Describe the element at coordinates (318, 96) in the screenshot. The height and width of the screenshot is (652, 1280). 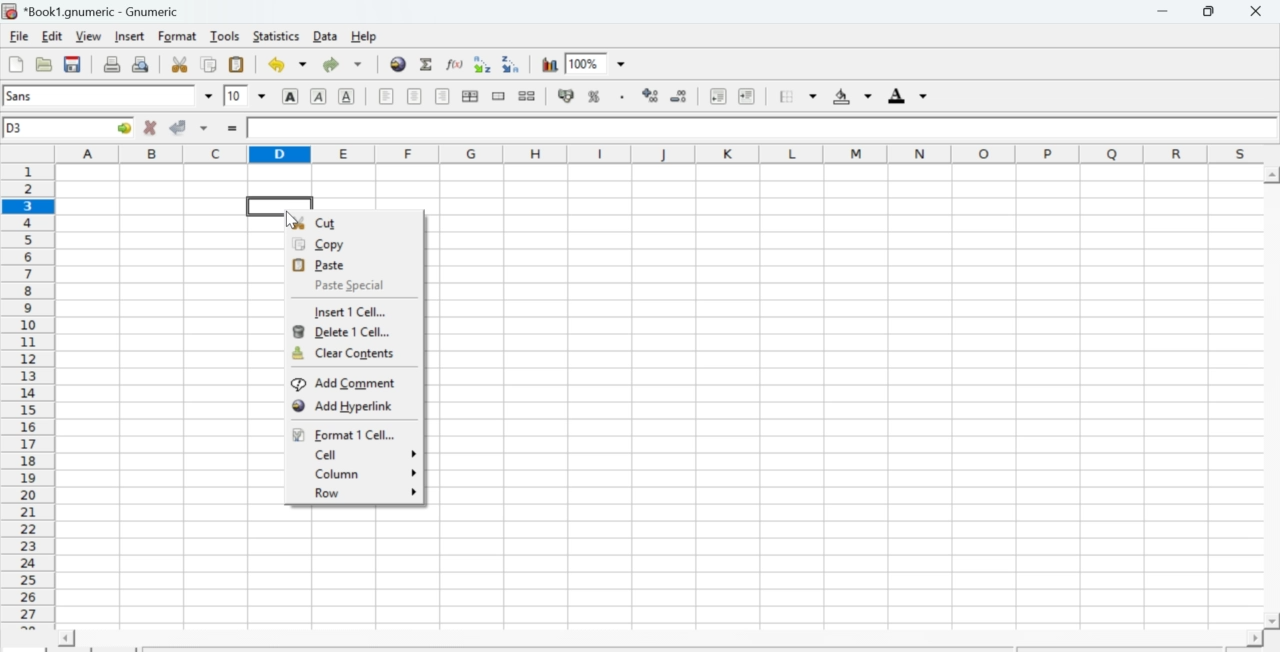
I see `Italics` at that location.